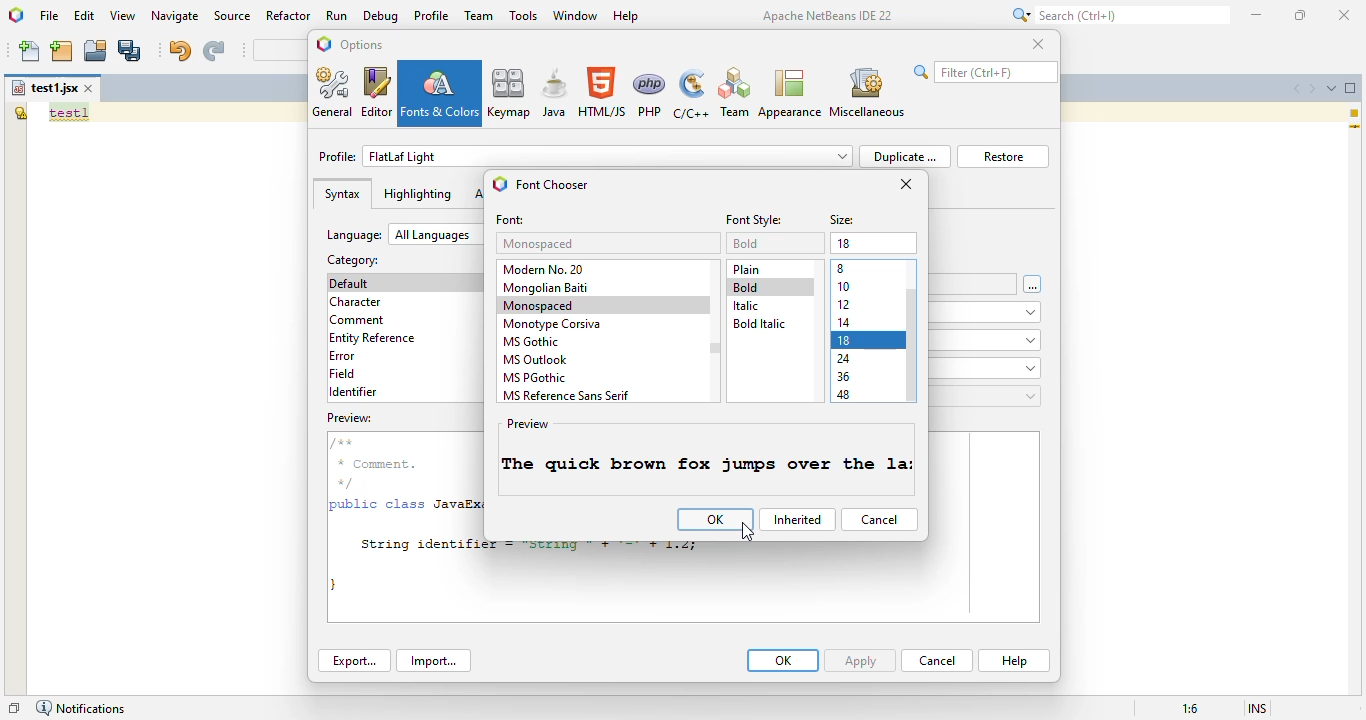 This screenshot has height=720, width=1366. I want to click on insert mode, so click(1258, 709).